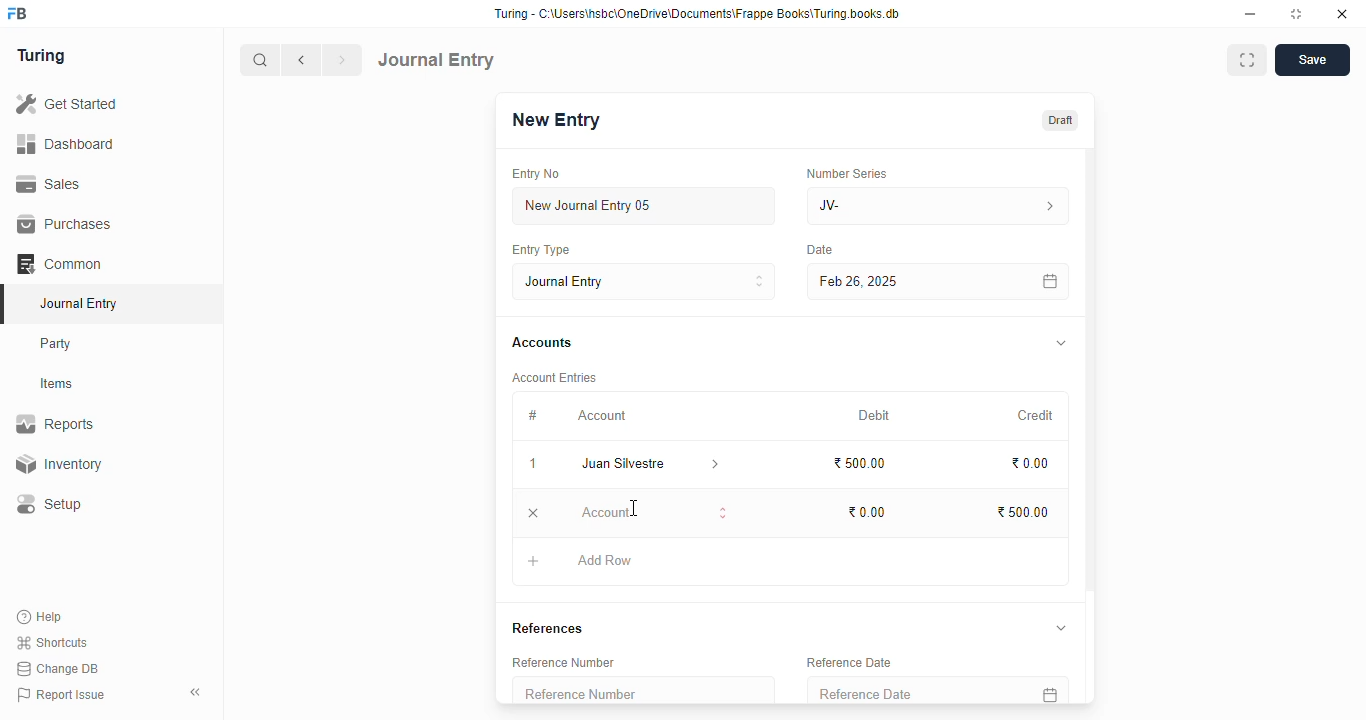 This screenshot has height=720, width=1366. What do you see at coordinates (848, 662) in the screenshot?
I see `reference date` at bounding box center [848, 662].